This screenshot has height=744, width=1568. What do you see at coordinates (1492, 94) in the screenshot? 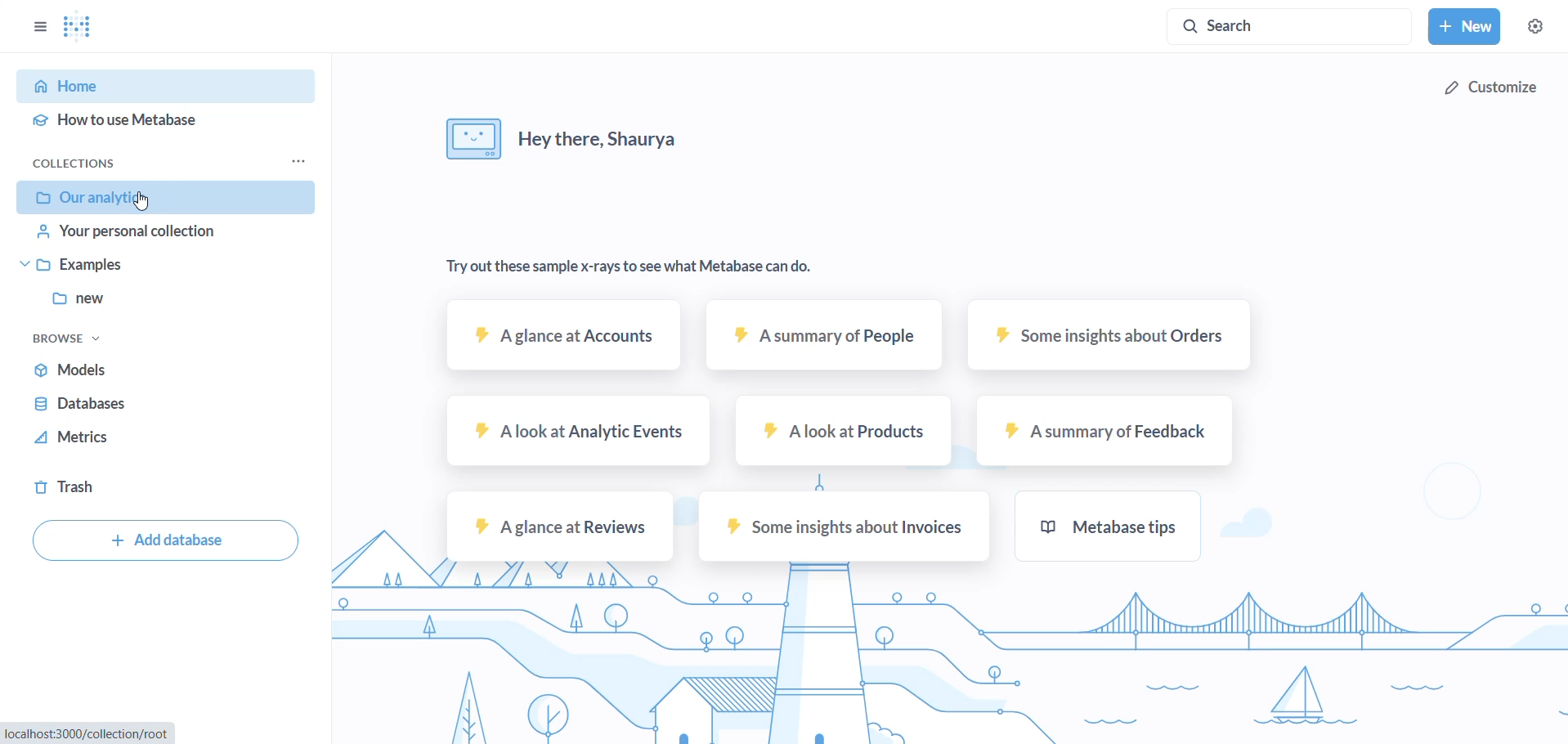
I see `customize` at bounding box center [1492, 94].